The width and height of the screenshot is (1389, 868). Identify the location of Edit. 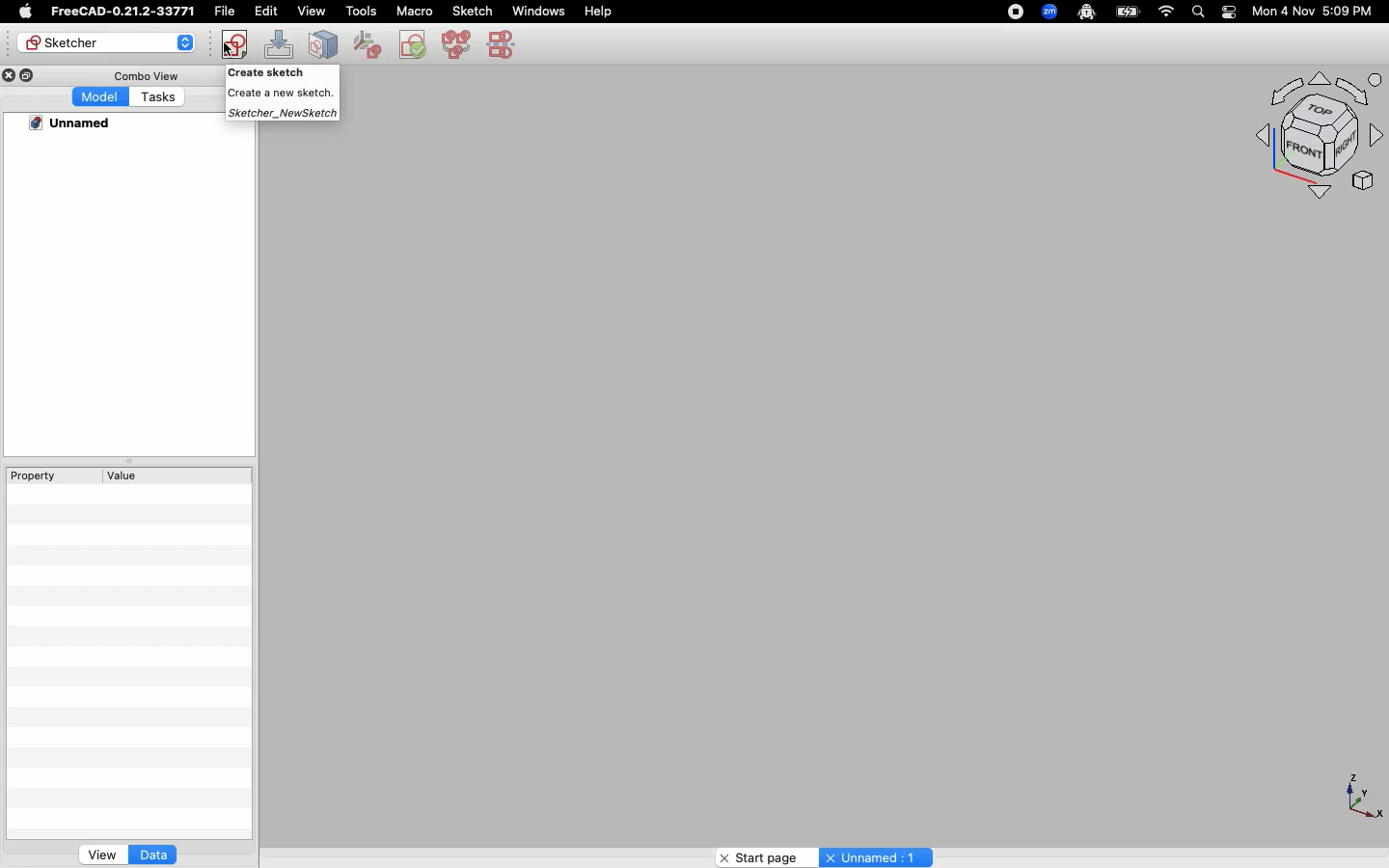
(266, 12).